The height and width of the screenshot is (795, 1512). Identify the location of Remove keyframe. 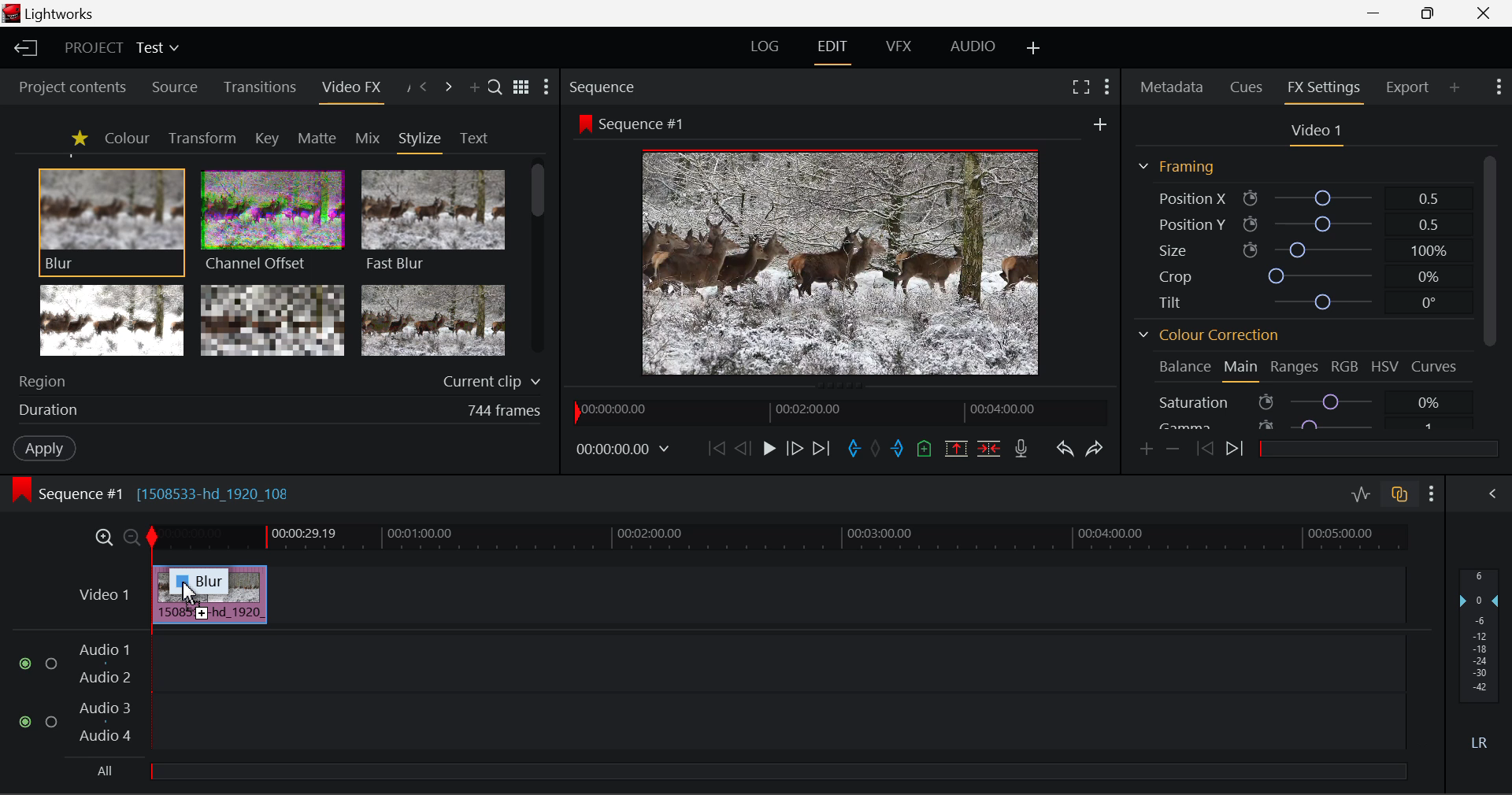
(1173, 448).